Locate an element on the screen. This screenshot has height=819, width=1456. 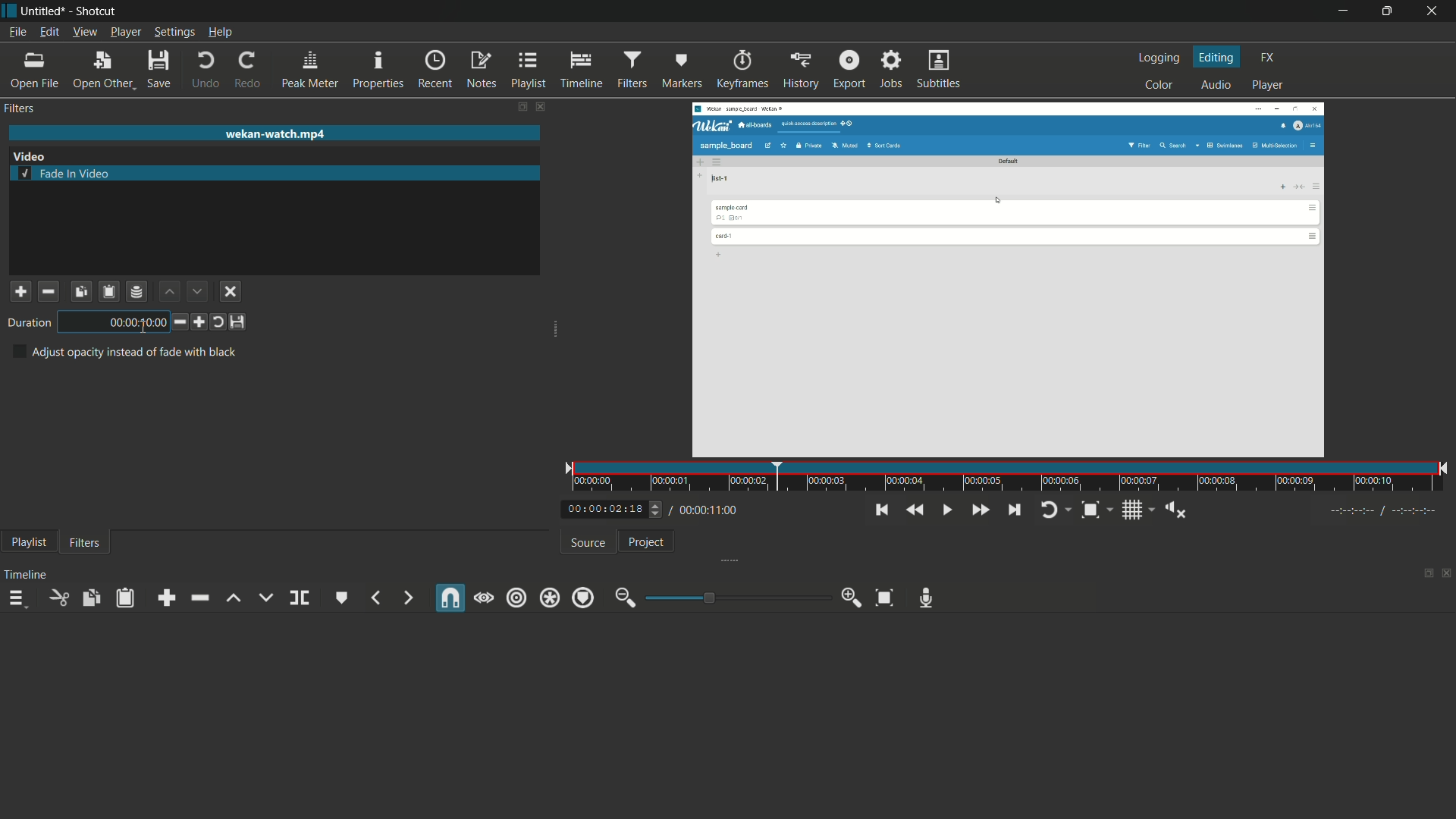
player menu is located at coordinates (127, 32).